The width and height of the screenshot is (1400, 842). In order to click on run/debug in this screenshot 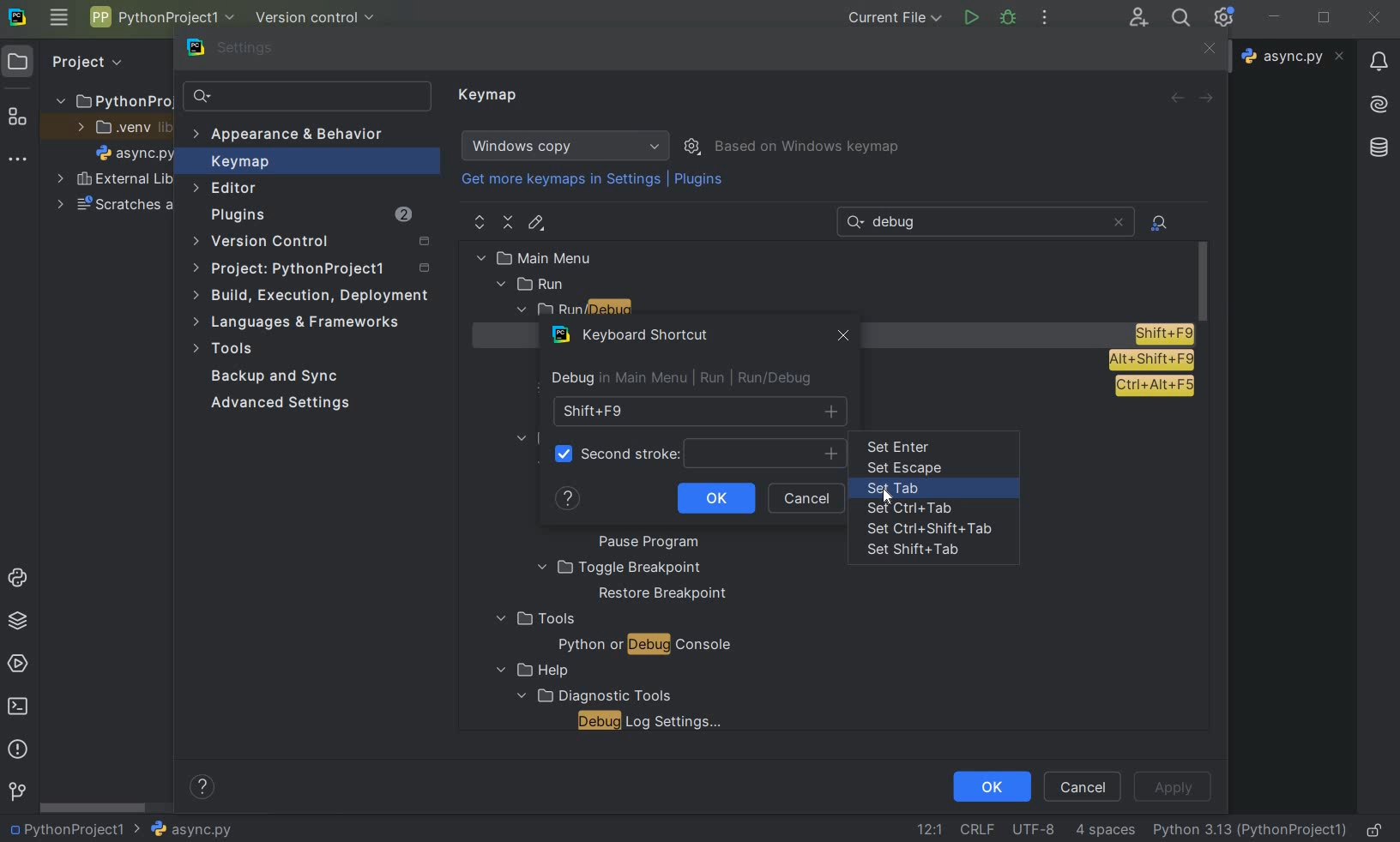, I will do `click(609, 311)`.